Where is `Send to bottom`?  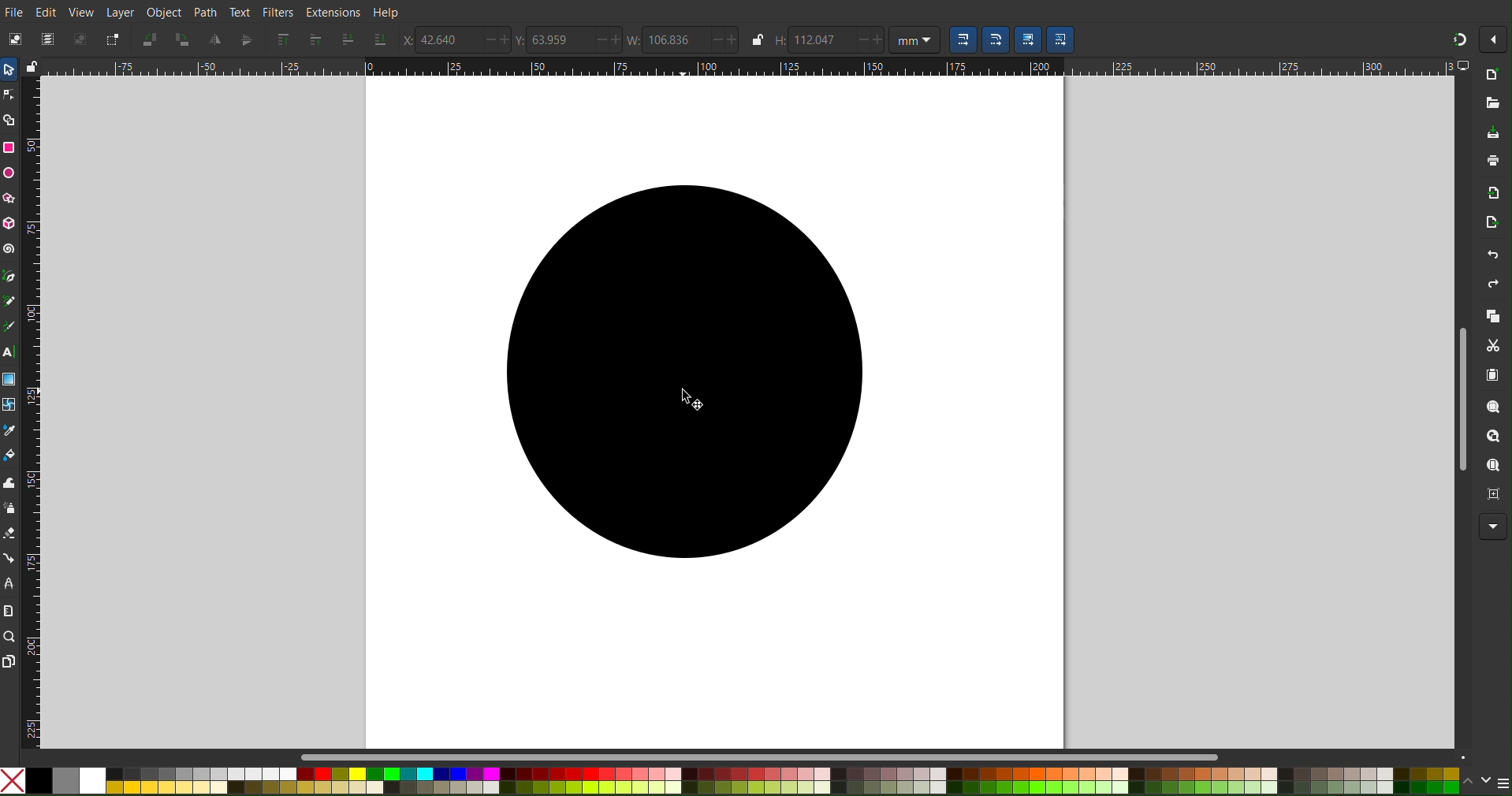
Send to bottom is located at coordinates (378, 40).